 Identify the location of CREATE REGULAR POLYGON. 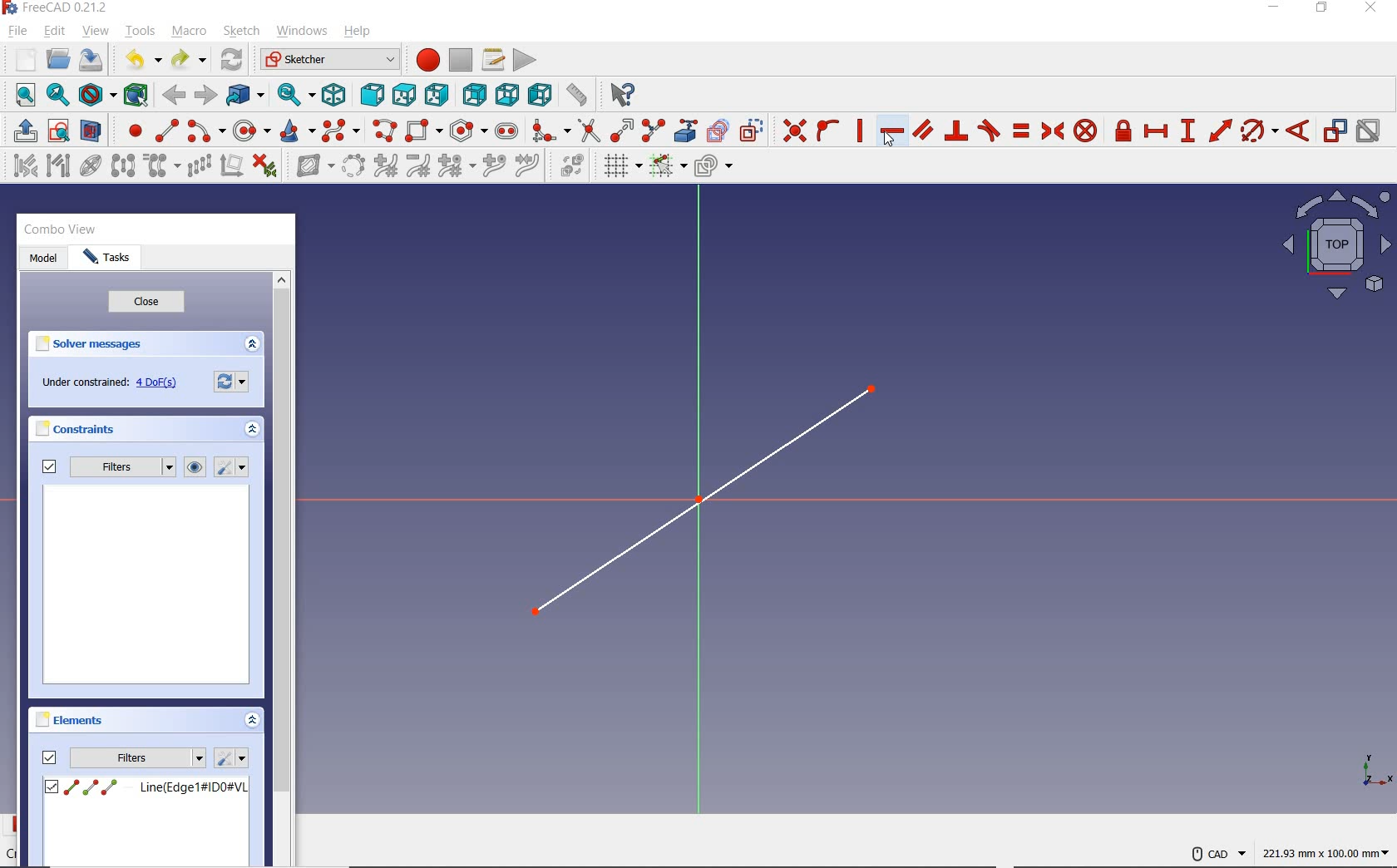
(468, 131).